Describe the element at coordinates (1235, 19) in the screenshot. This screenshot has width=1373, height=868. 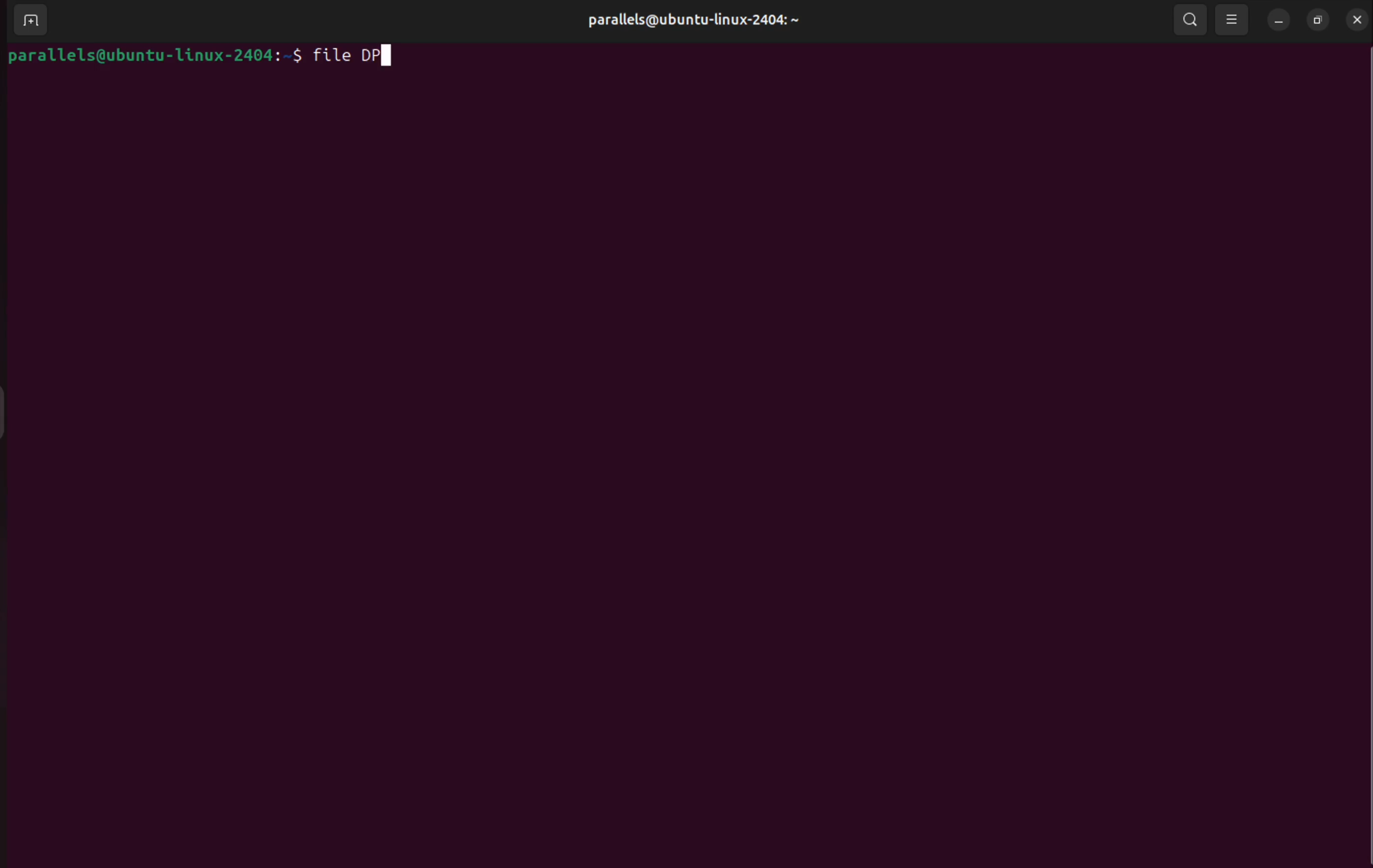
I see `view options` at that location.